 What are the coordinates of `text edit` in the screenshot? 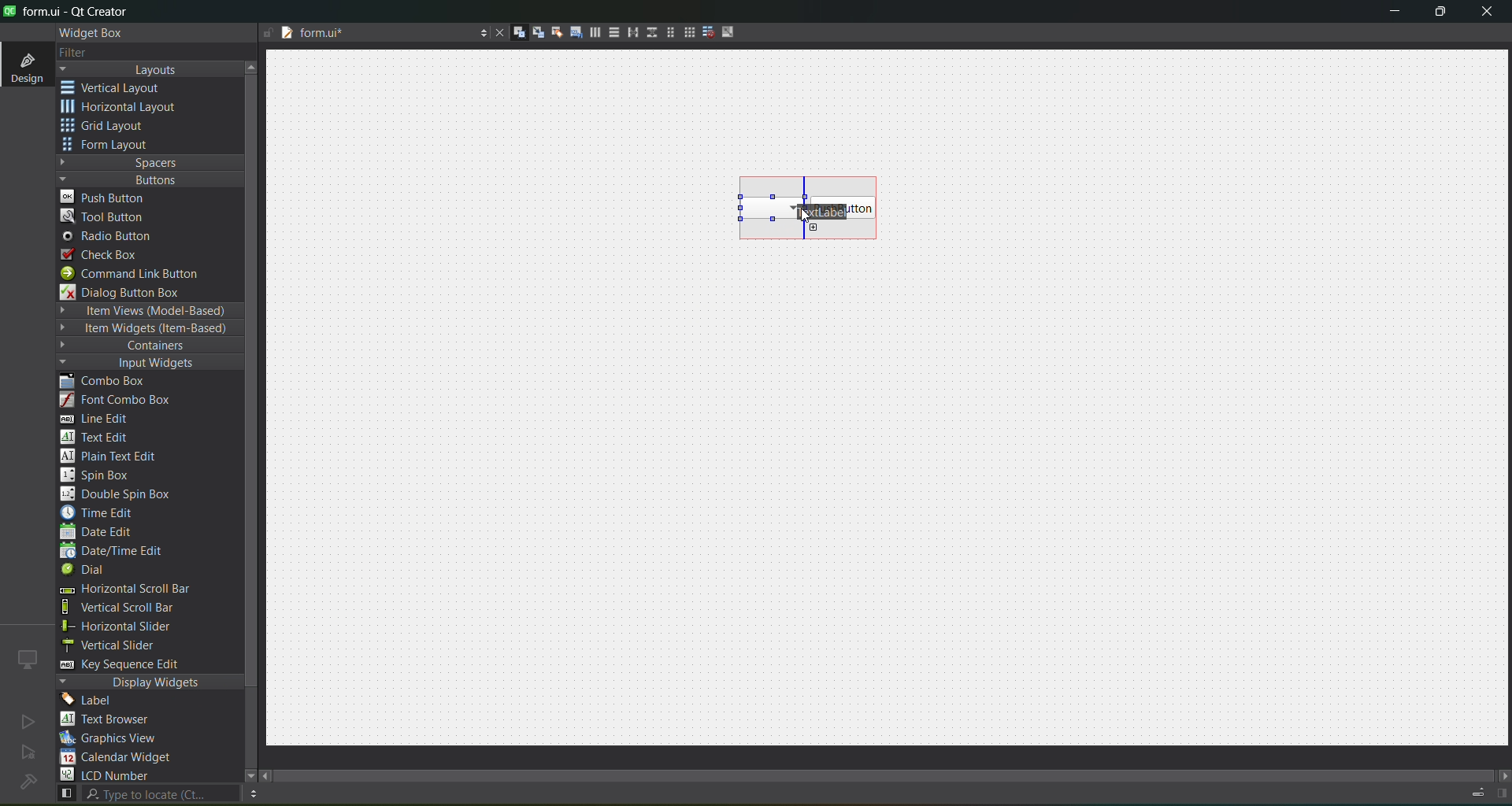 It's located at (99, 436).